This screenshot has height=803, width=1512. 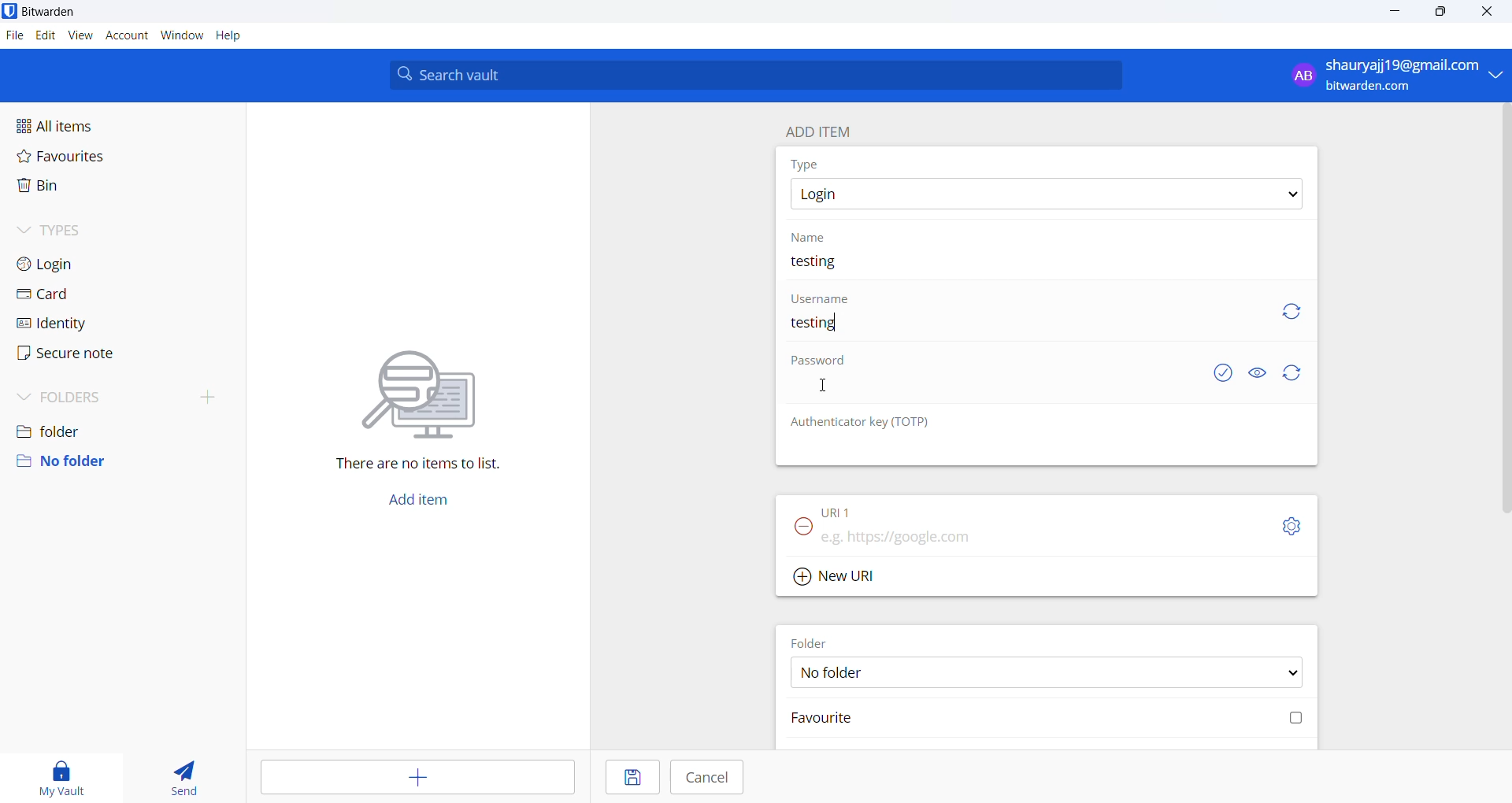 What do you see at coordinates (126, 394) in the screenshot?
I see `folders` at bounding box center [126, 394].